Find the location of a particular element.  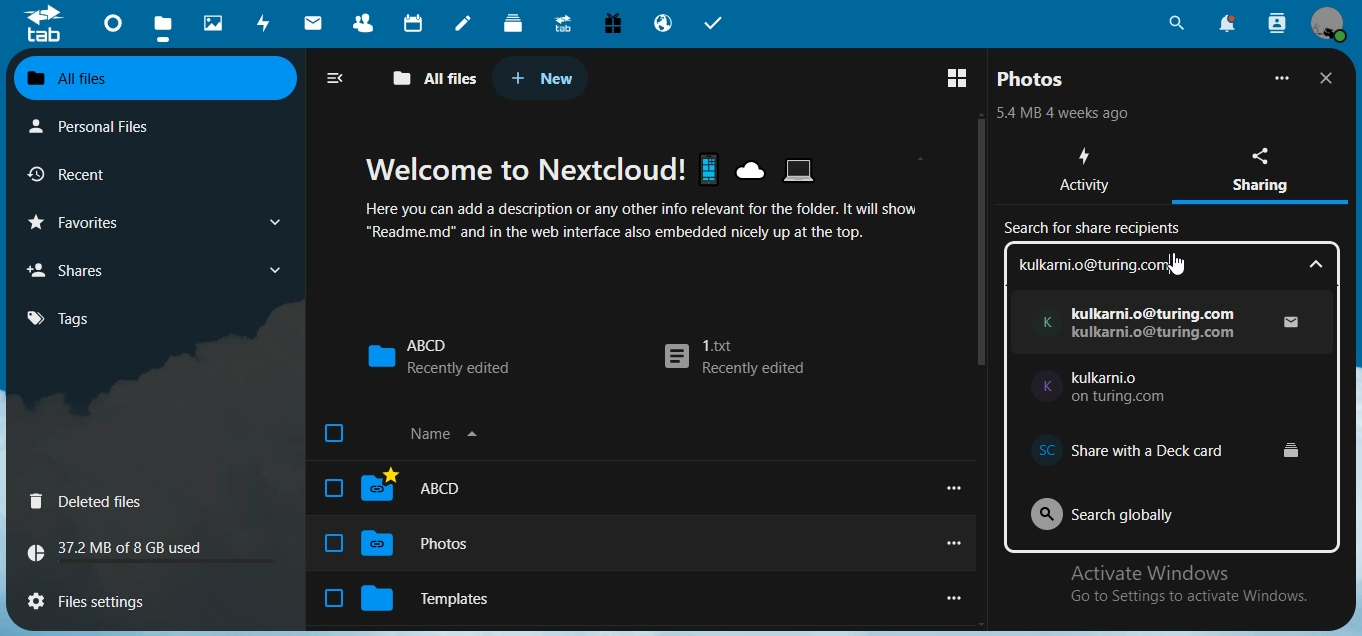

calendar is located at coordinates (416, 23).